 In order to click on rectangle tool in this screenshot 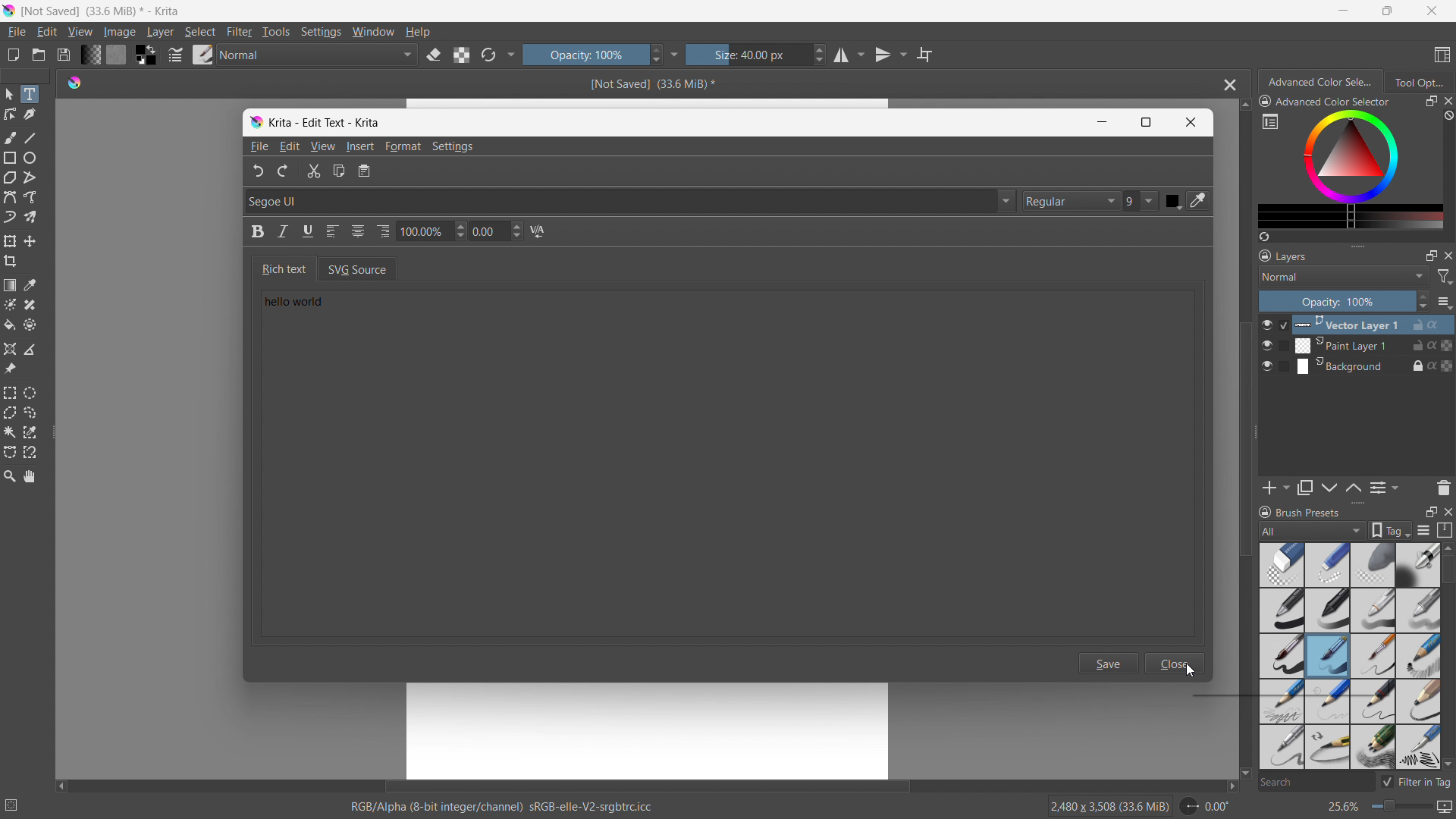, I will do `click(11, 158)`.